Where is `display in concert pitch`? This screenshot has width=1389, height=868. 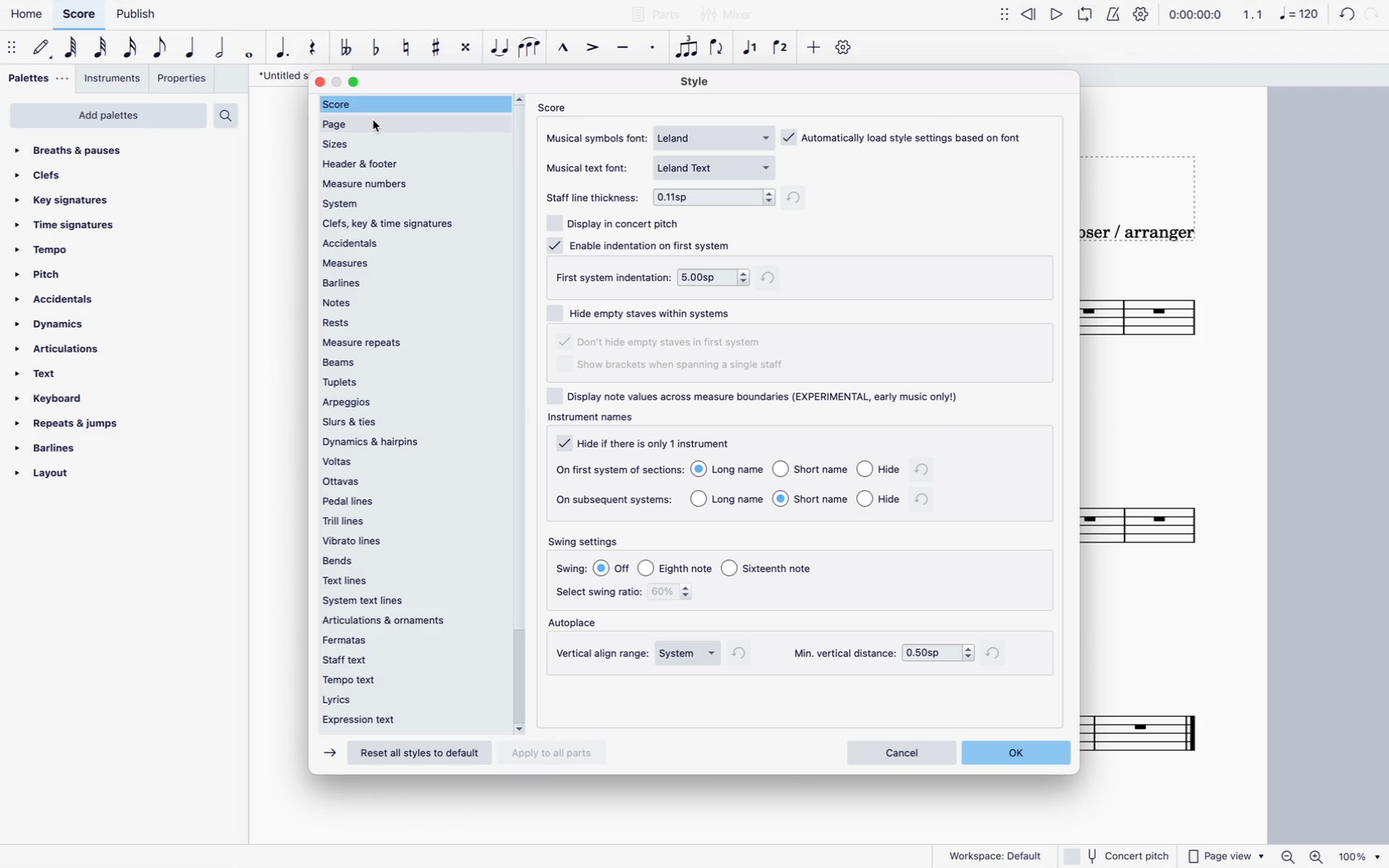 display in concert pitch is located at coordinates (619, 222).